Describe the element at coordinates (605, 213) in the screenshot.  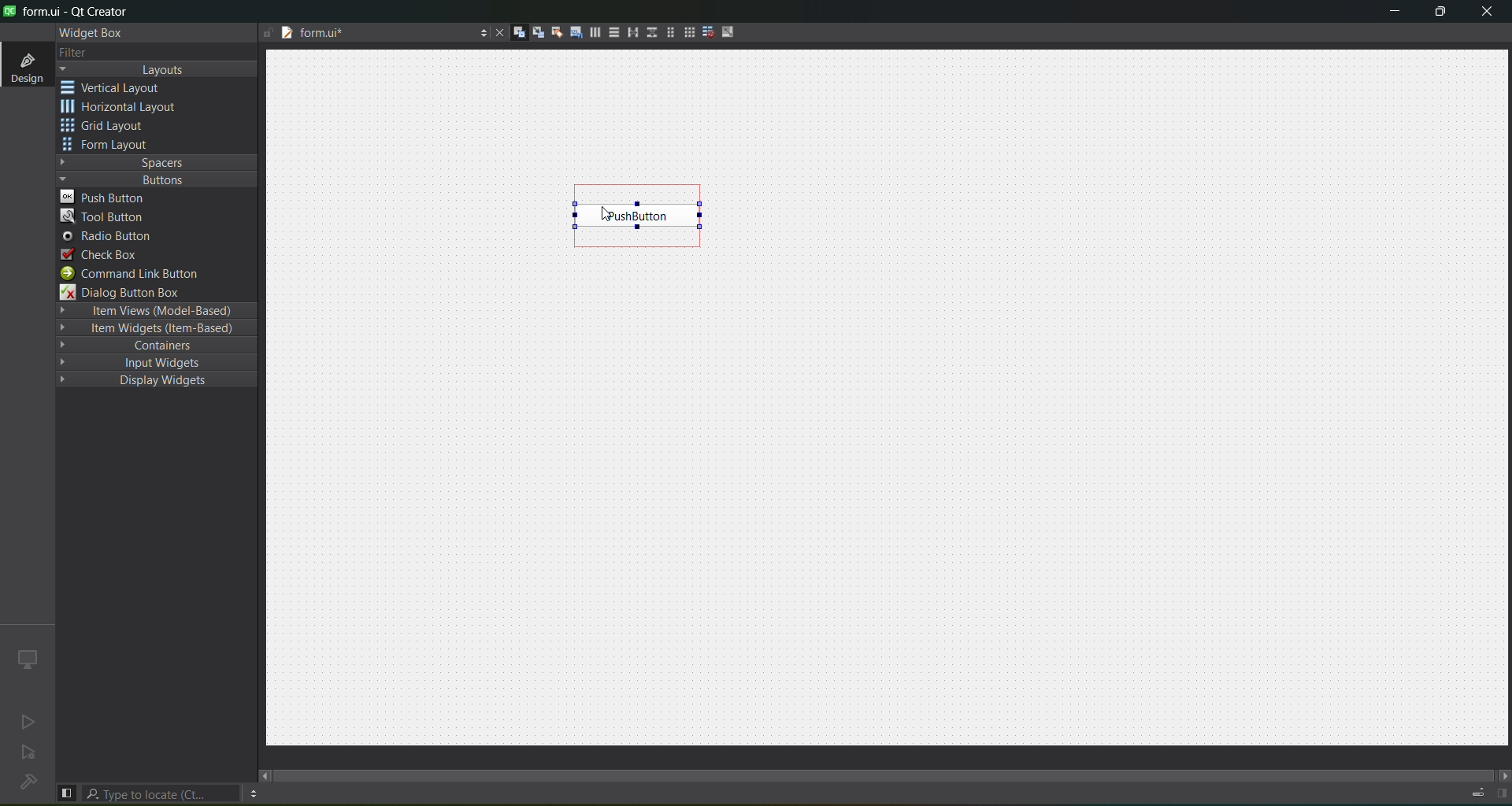
I see `Cursor` at that location.